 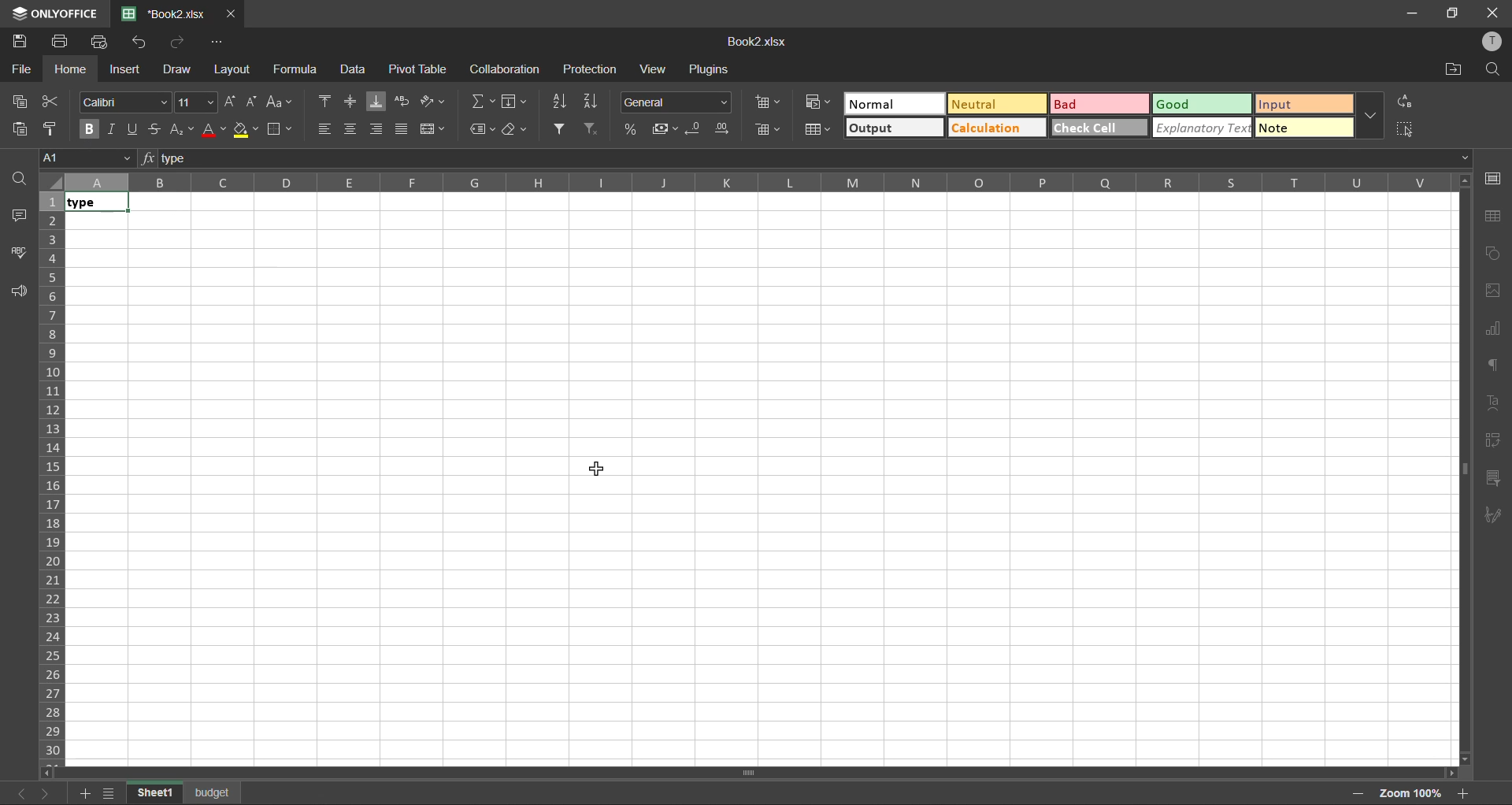 I want to click on file, so click(x=22, y=68).